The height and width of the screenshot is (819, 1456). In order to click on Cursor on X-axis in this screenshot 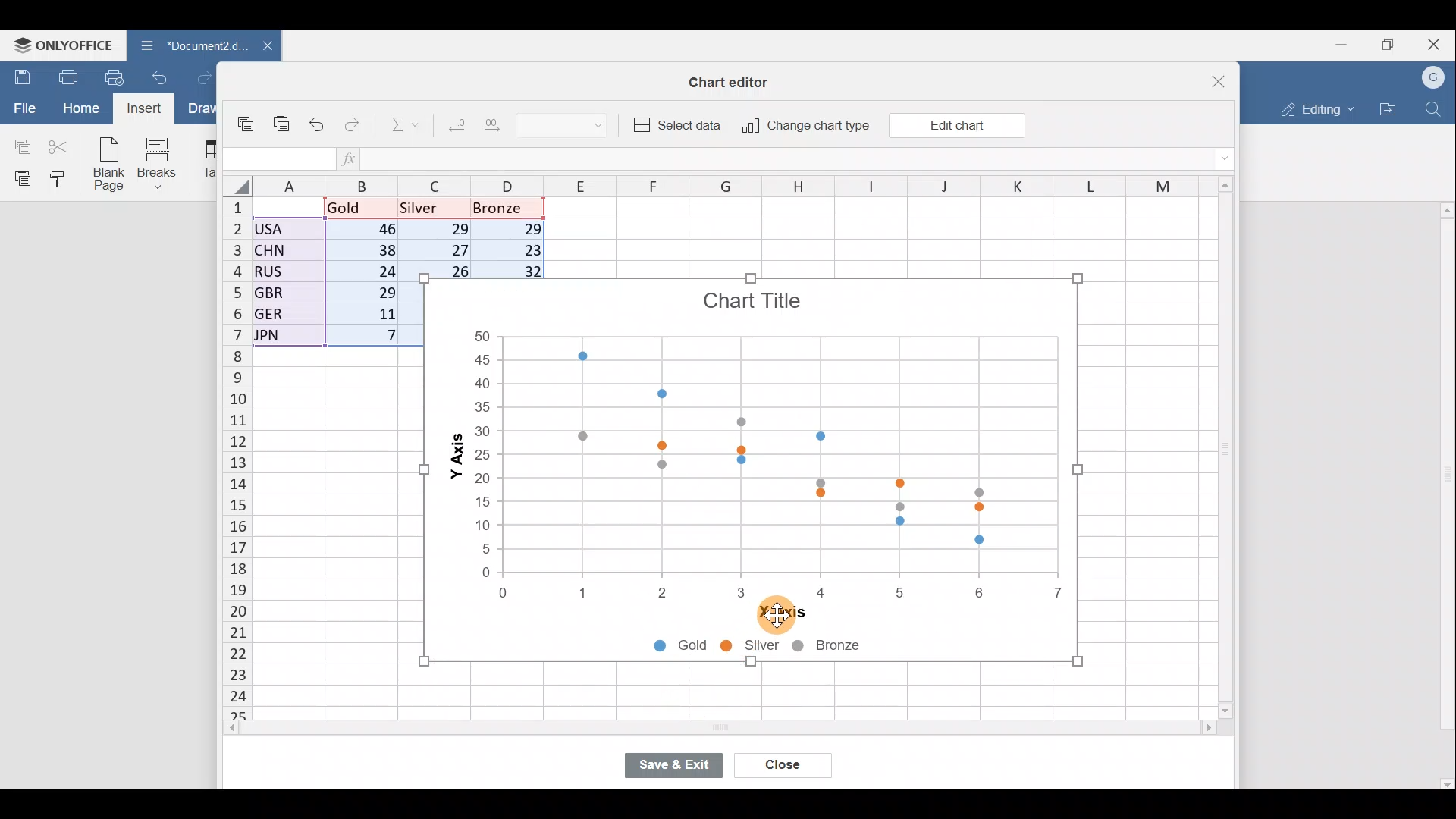, I will do `click(775, 614)`.